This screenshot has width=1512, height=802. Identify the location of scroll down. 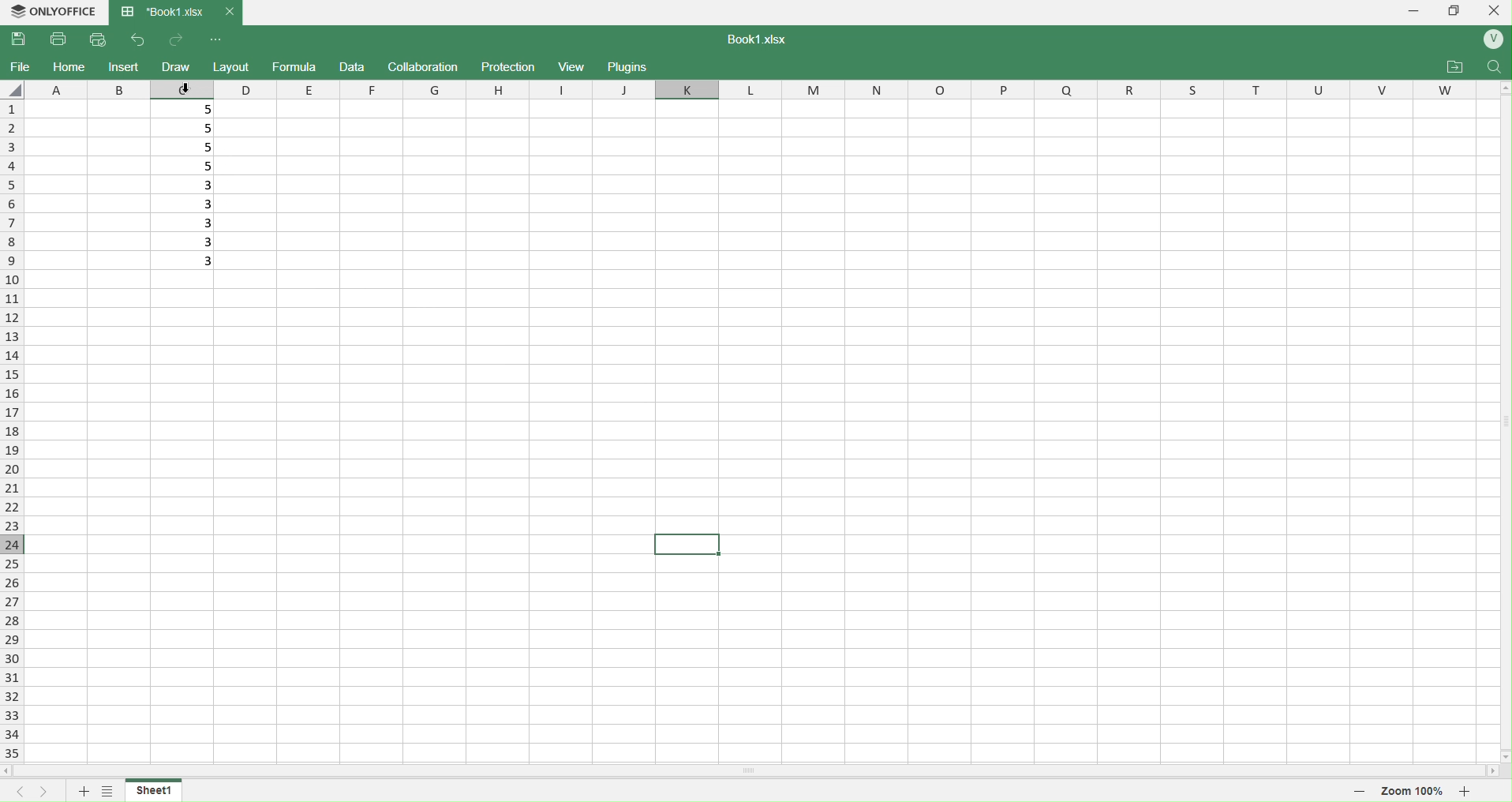
(1498, 751).